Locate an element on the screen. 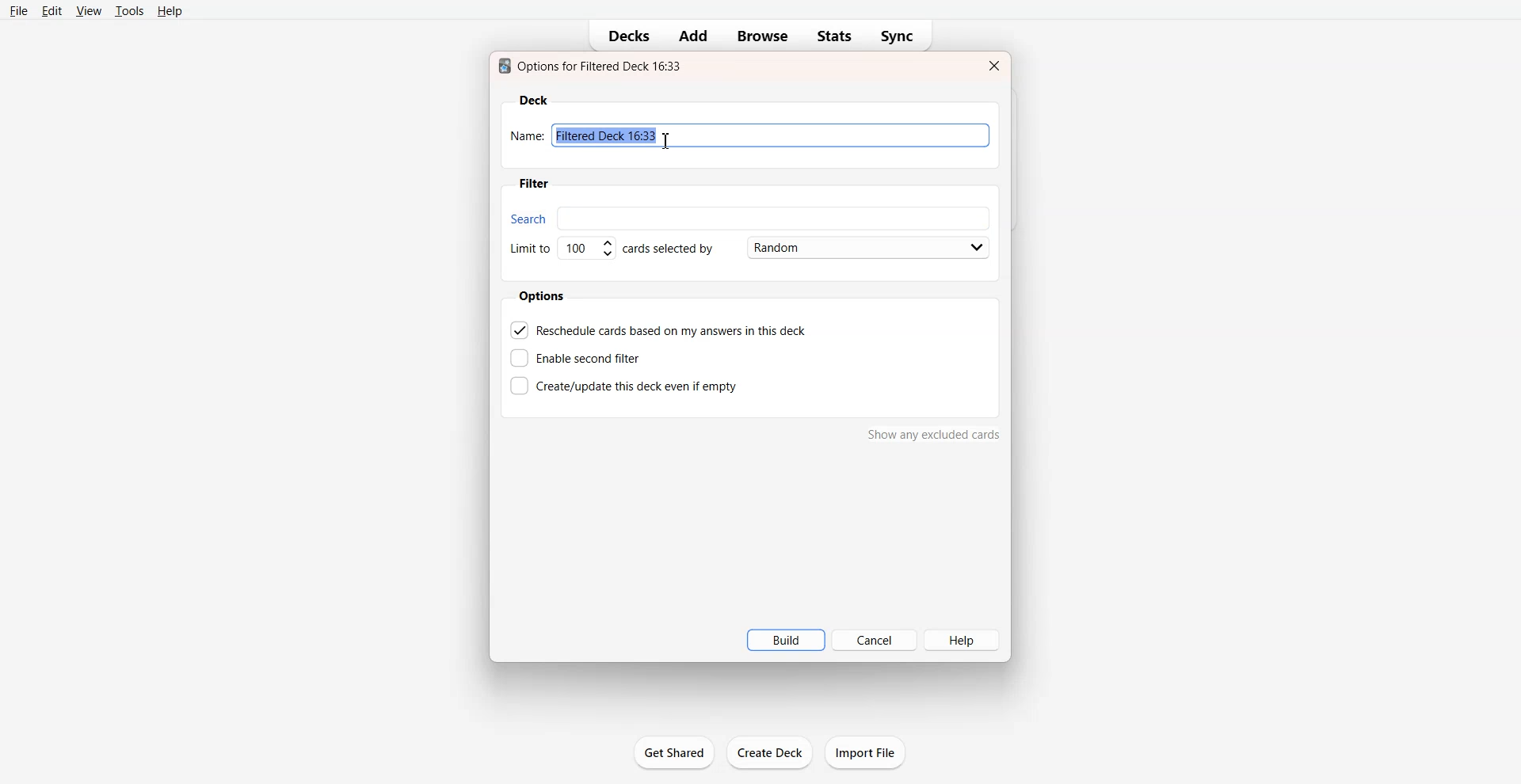 This screenshot has width=1521, height=784. Tools is located at coordinates (129, 10).